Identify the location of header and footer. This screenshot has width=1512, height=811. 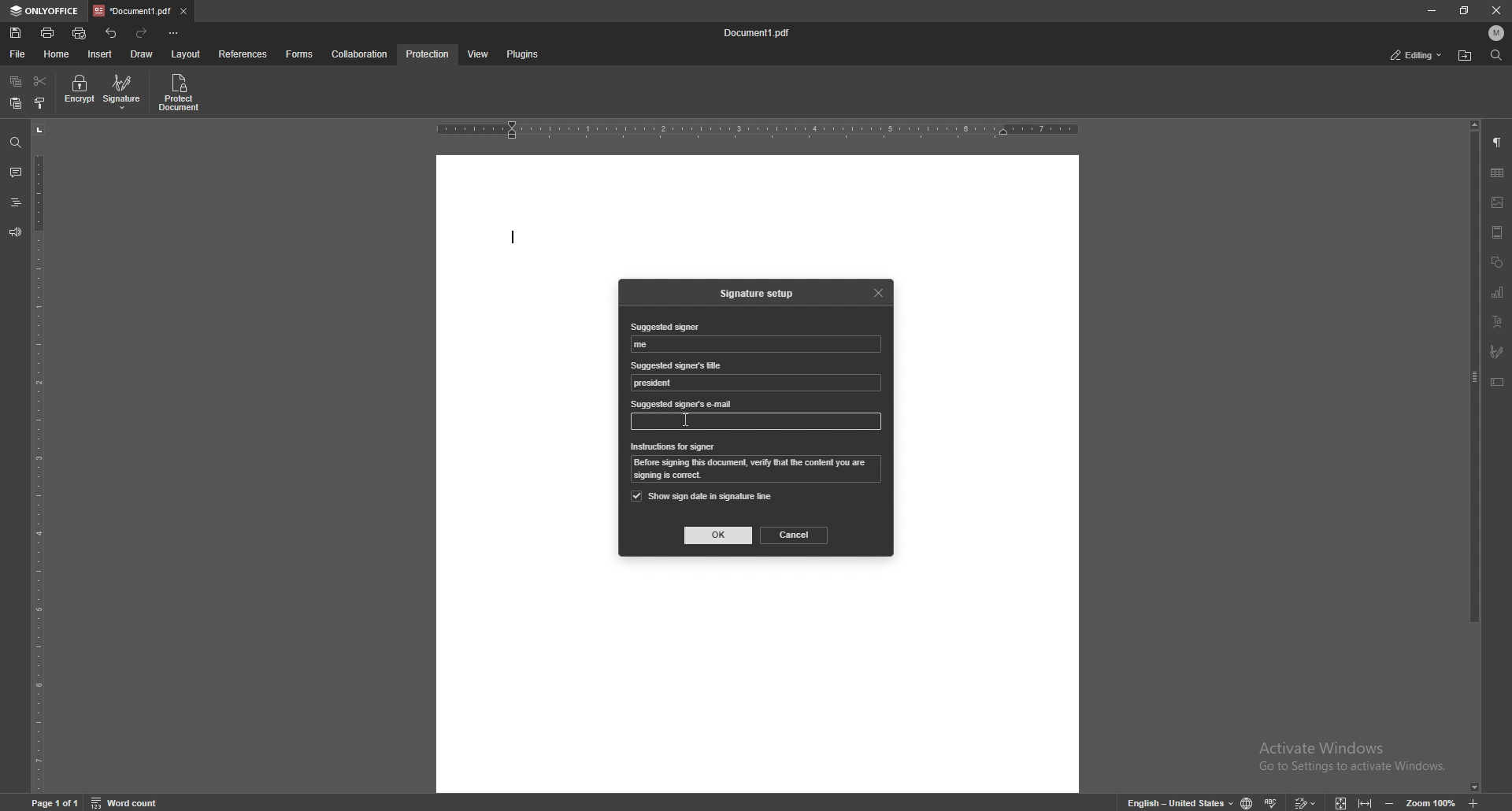
(1497, 232).